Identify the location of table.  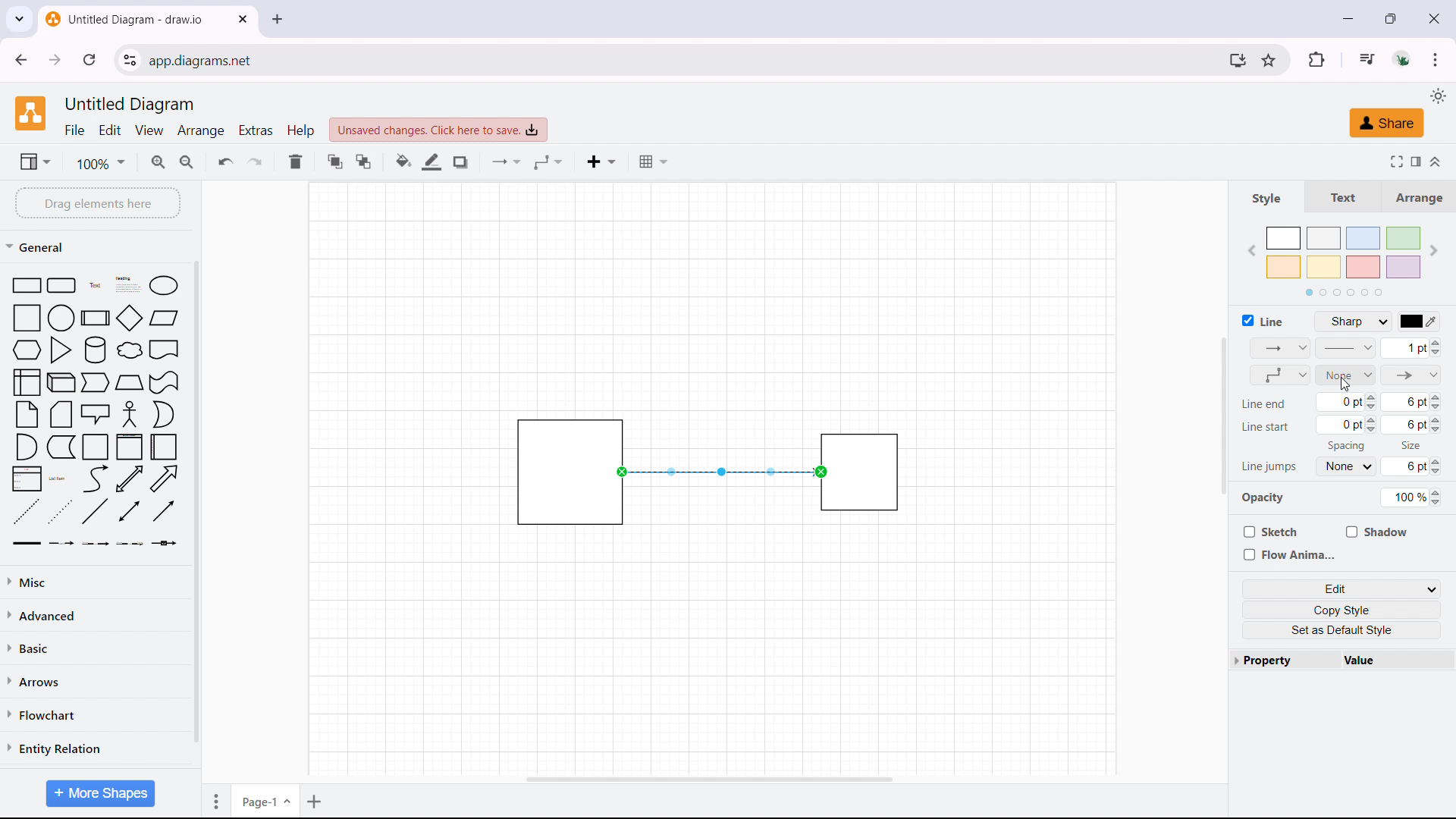
(653, 162).